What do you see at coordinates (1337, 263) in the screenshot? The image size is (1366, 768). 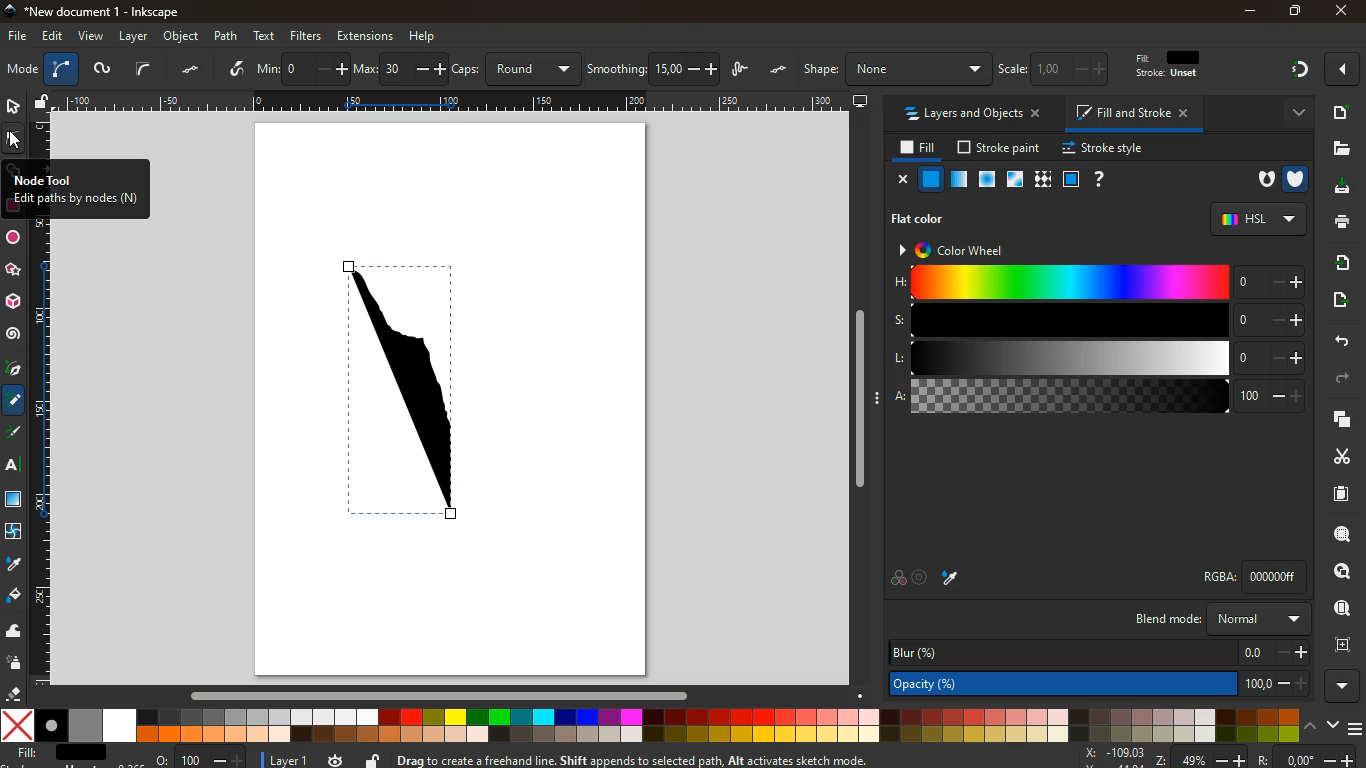 I see `receive` at bounding box center [1337, 263].